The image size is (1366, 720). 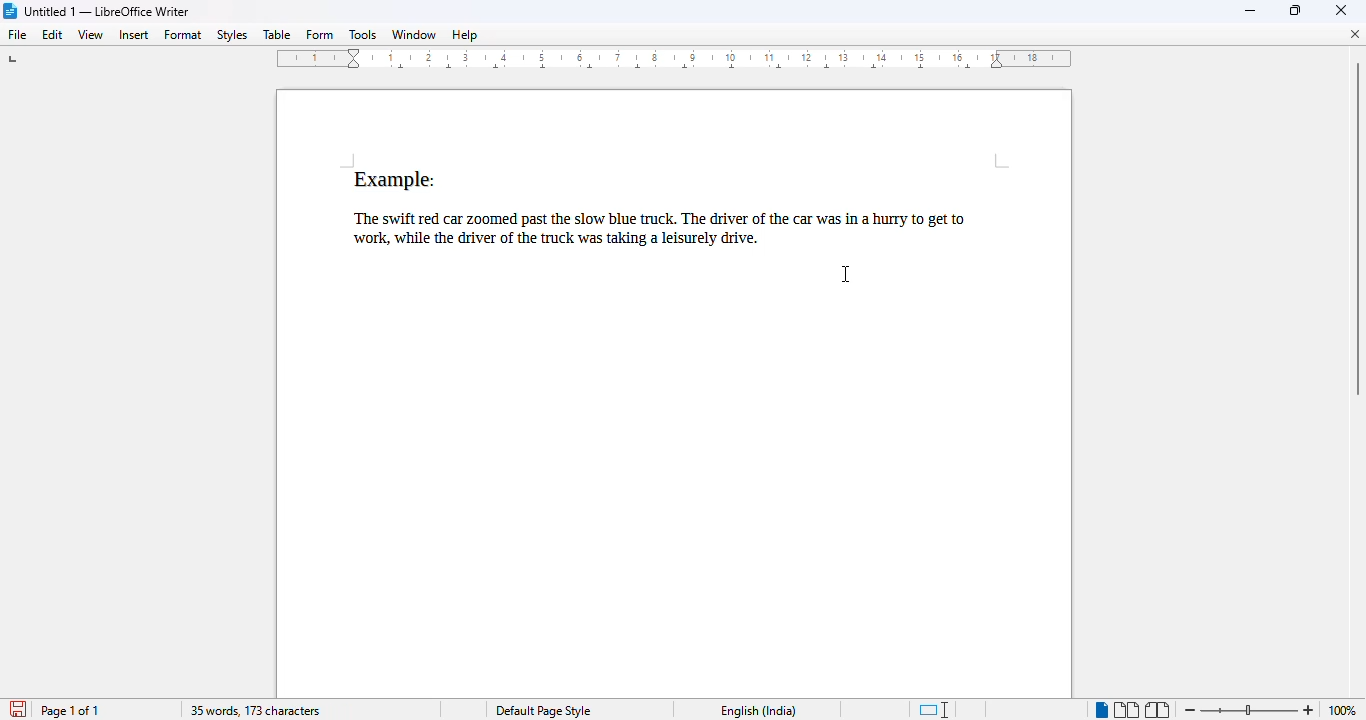 I want to click on view, so click(x=91, y=35).